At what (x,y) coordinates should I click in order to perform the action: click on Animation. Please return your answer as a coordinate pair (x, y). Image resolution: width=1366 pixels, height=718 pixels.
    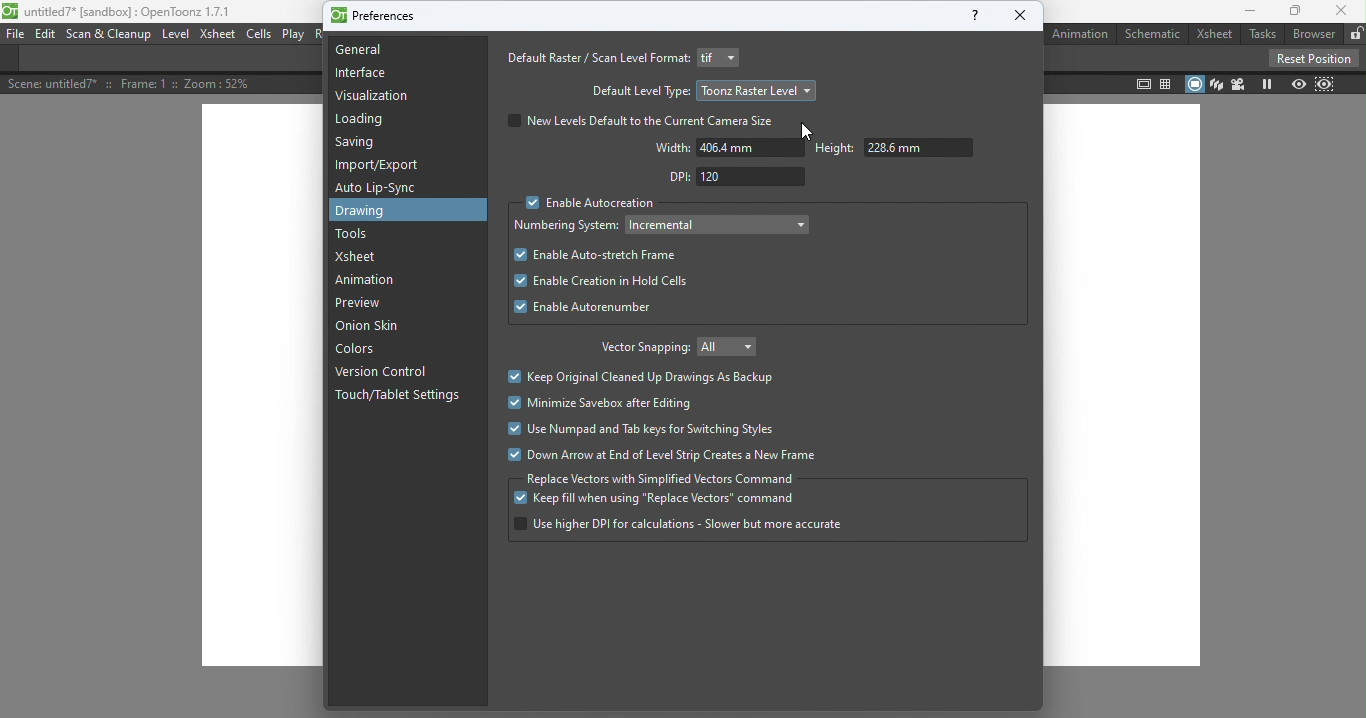
    Looking at the image, I should click on (370, 282).